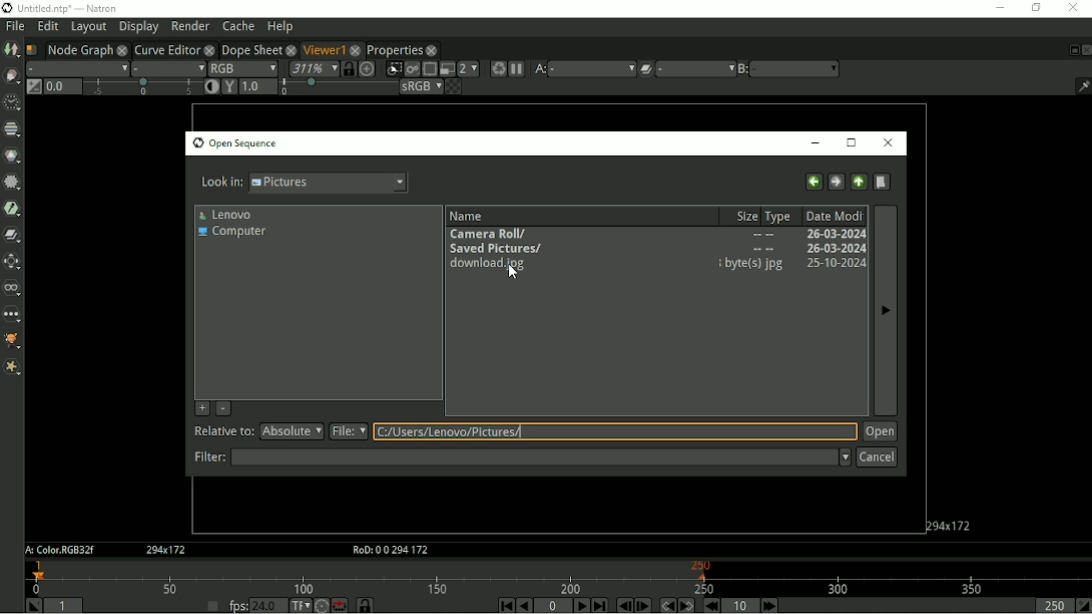 Image resolution: width=1092 pixels, height=614 pixels. Describe the element at coordinates (221, 184) in the screenshot. I see `Look in` at that location.